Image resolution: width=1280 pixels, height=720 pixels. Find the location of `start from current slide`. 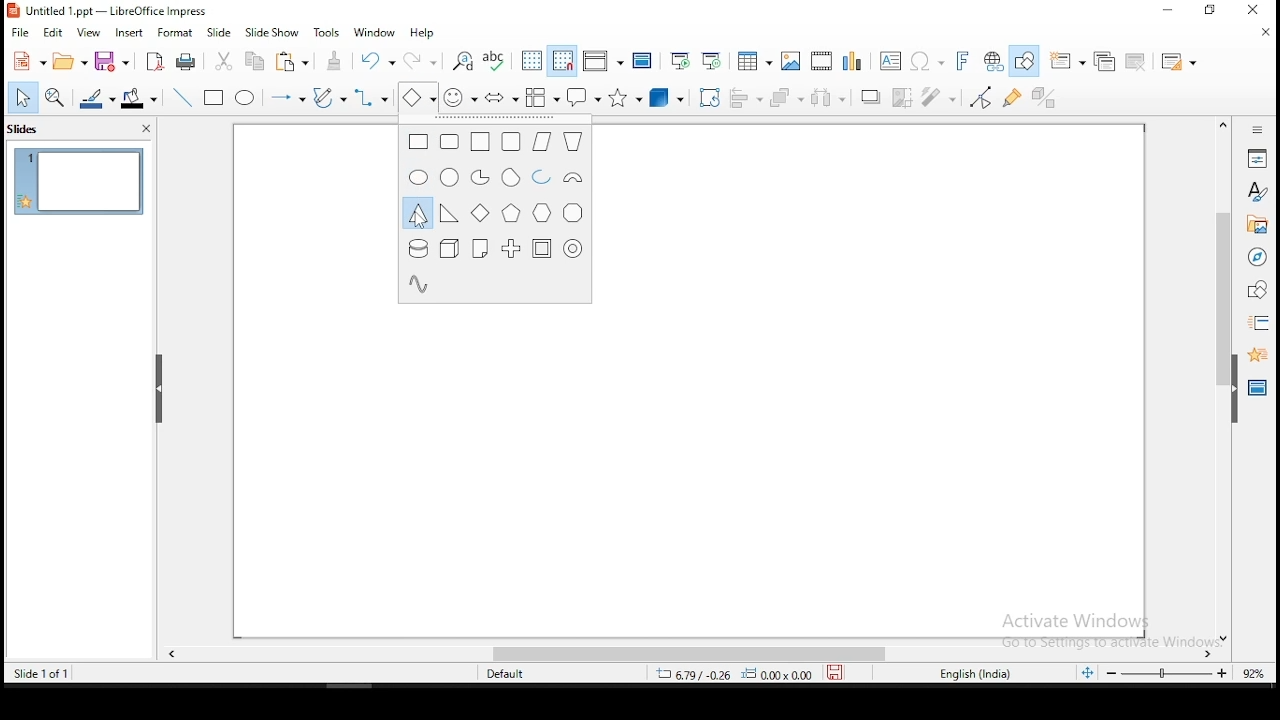

start from current slide is located at coordinates (713, 61).